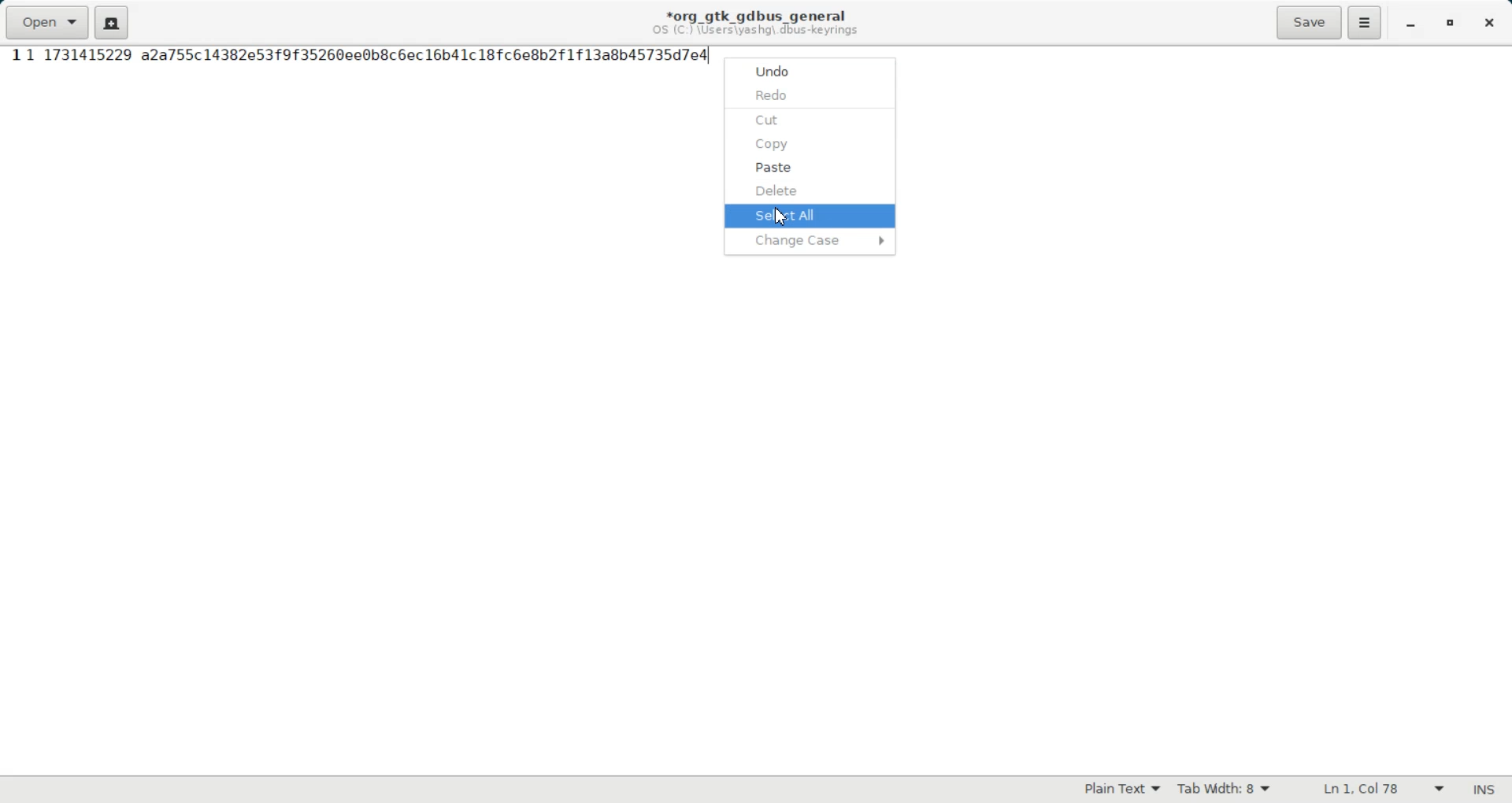  What do you see at coordinates (1308, 22) in the screenshot?
I see `Save` at bounding box center [1308, 22].